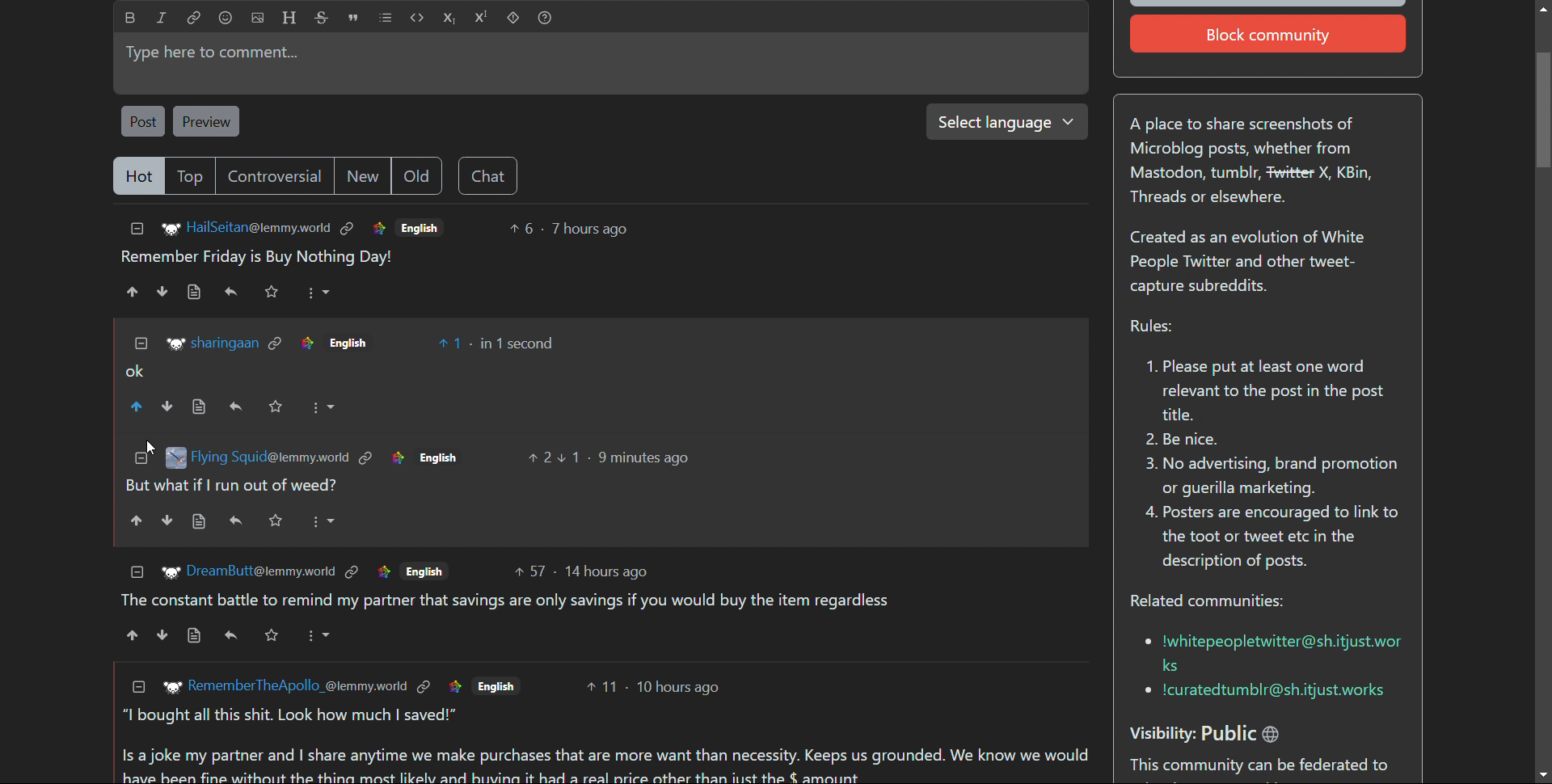  I want to click on favorite, so click(280, 407).